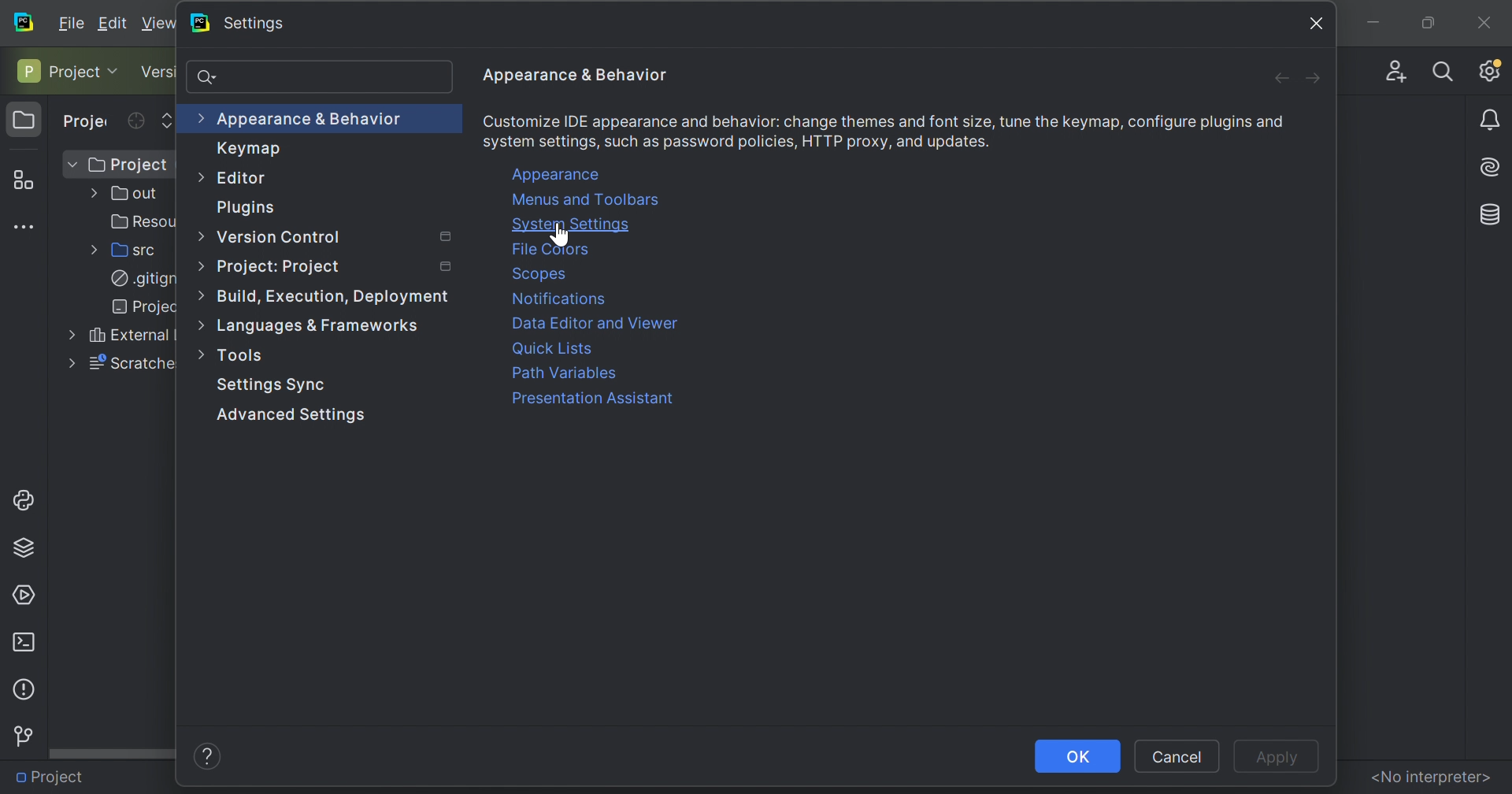  I want to click on Editor, so click(248, 179).